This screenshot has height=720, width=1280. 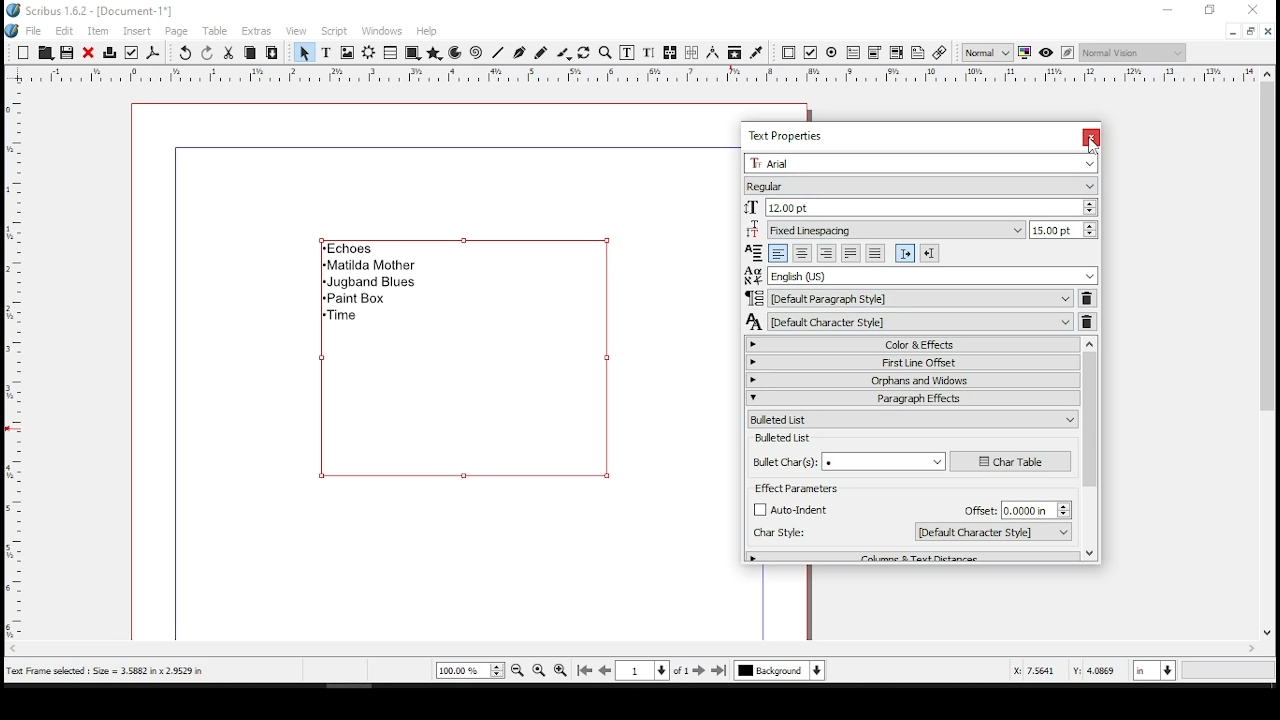 I want to click on arc, so click(x=456, y=53).